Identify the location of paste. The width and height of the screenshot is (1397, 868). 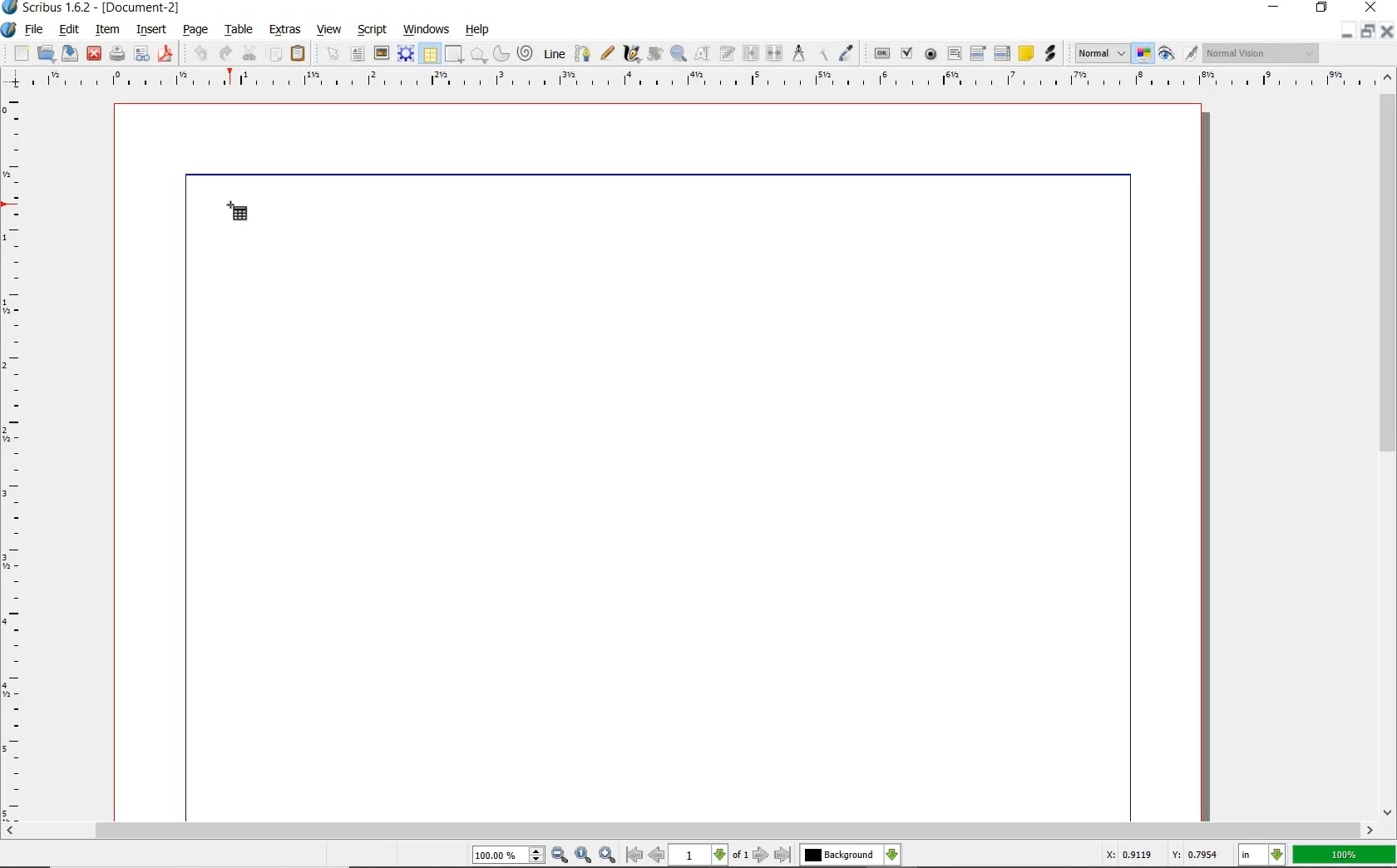
(299, 55).